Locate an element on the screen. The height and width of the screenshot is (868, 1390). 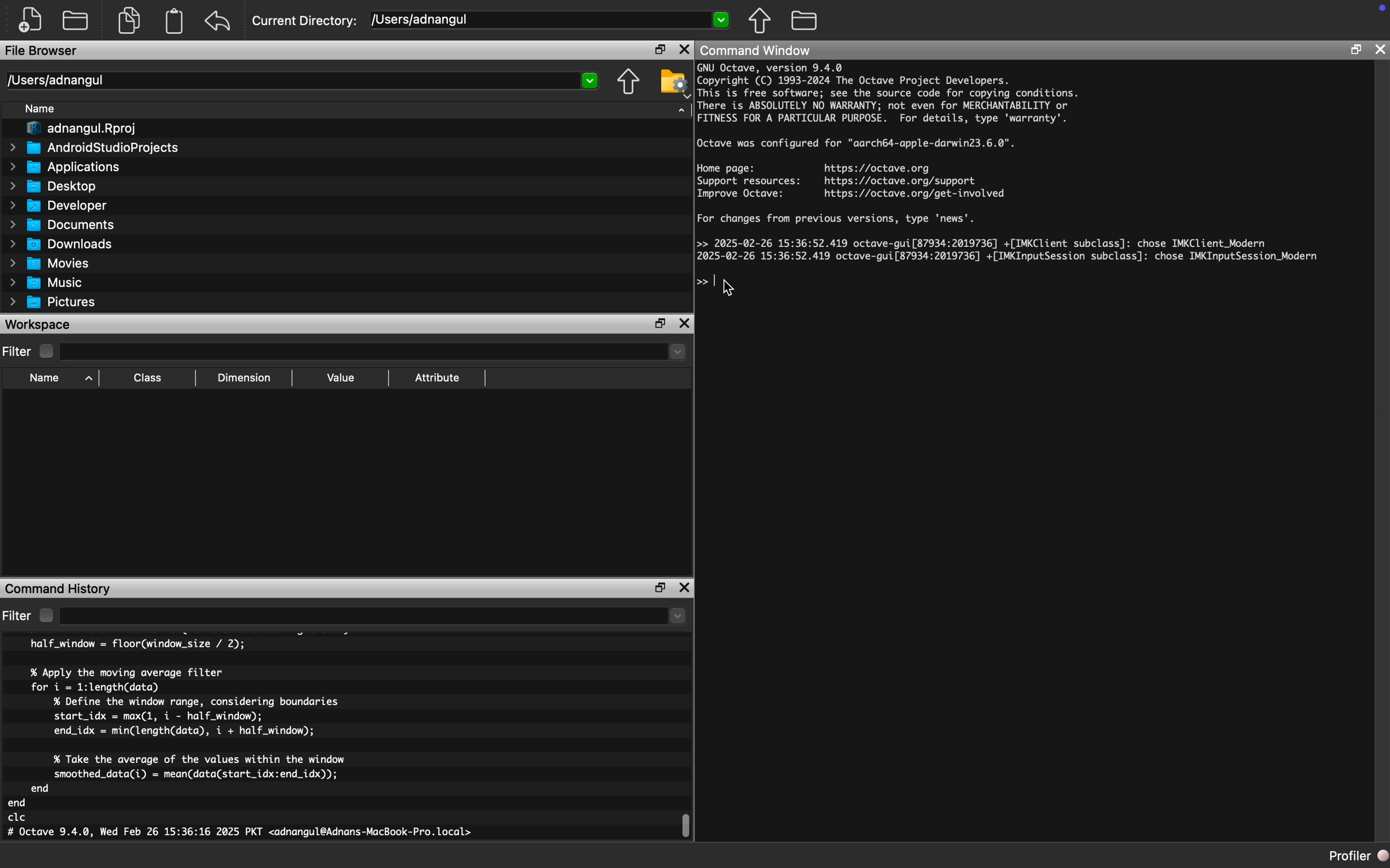
Open Folder is located at coordinates (77, 21).